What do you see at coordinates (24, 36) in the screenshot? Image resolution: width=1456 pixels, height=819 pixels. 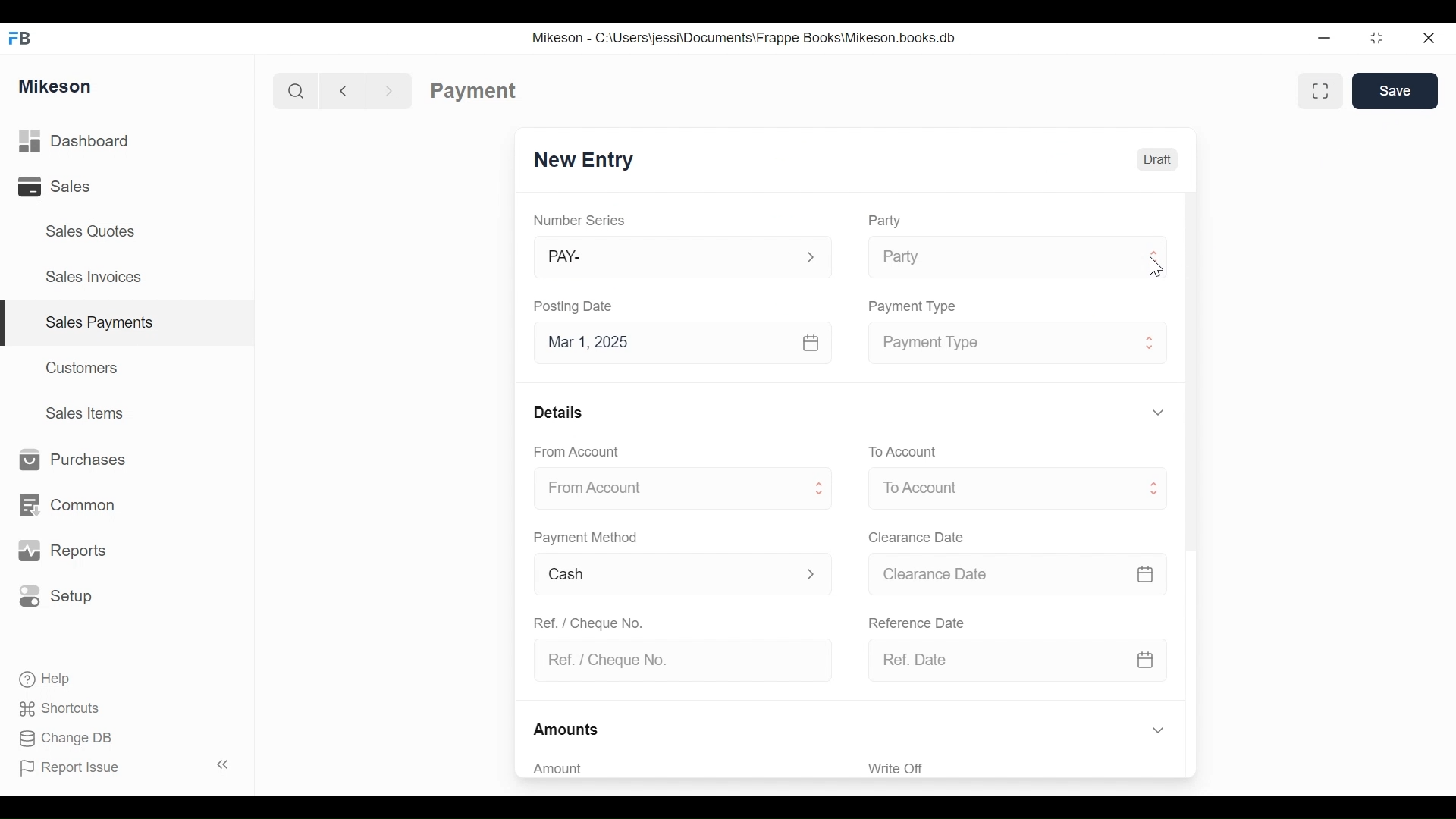 I see `FB` at bounding box center [24, 36].